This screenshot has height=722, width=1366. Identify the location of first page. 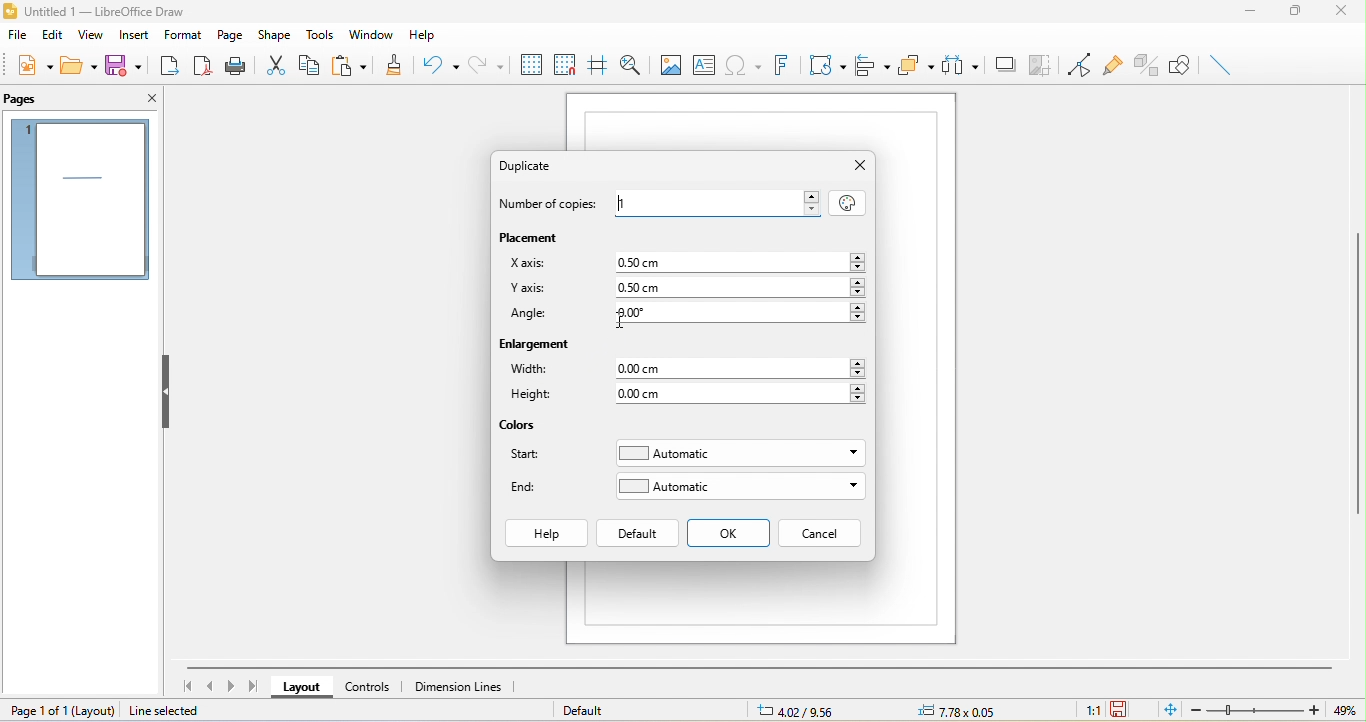
(185, 685).